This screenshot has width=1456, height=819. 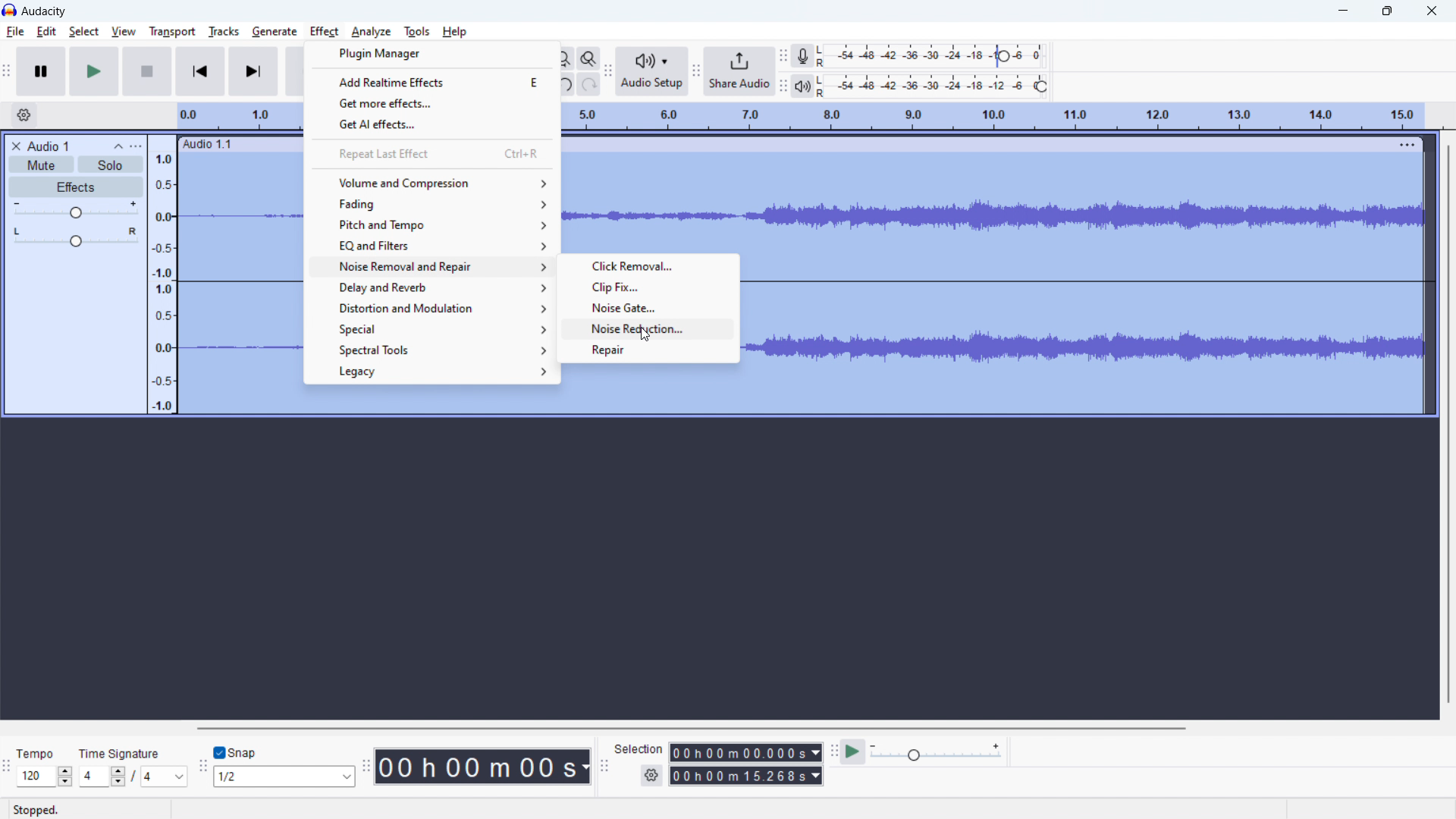 What do you see at coordinates (428, 287) in the screenshot?
I see `delay and reverb` at bounding box center [428, 287].